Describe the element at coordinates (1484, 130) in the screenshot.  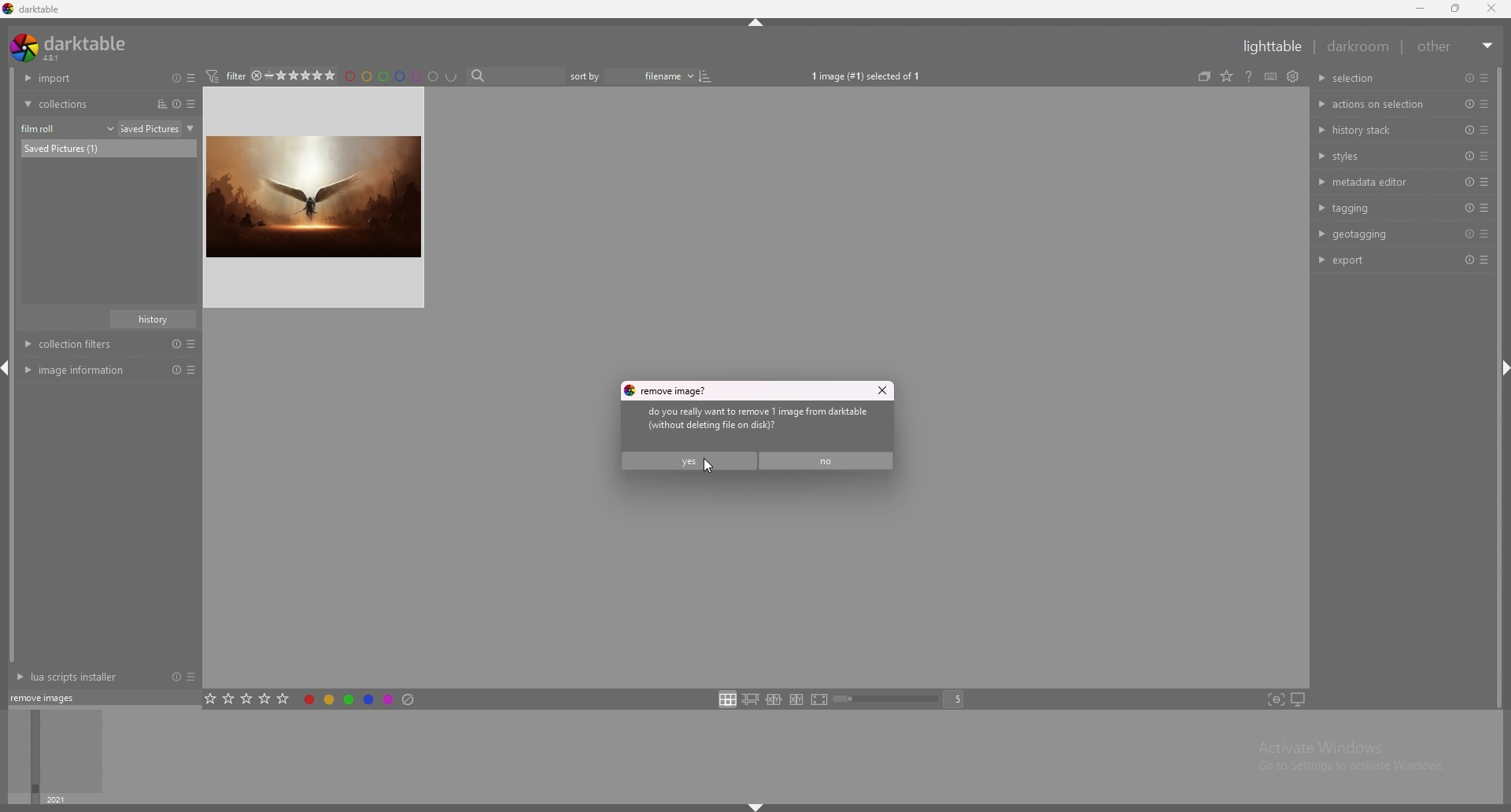
I see `presets` at that location.